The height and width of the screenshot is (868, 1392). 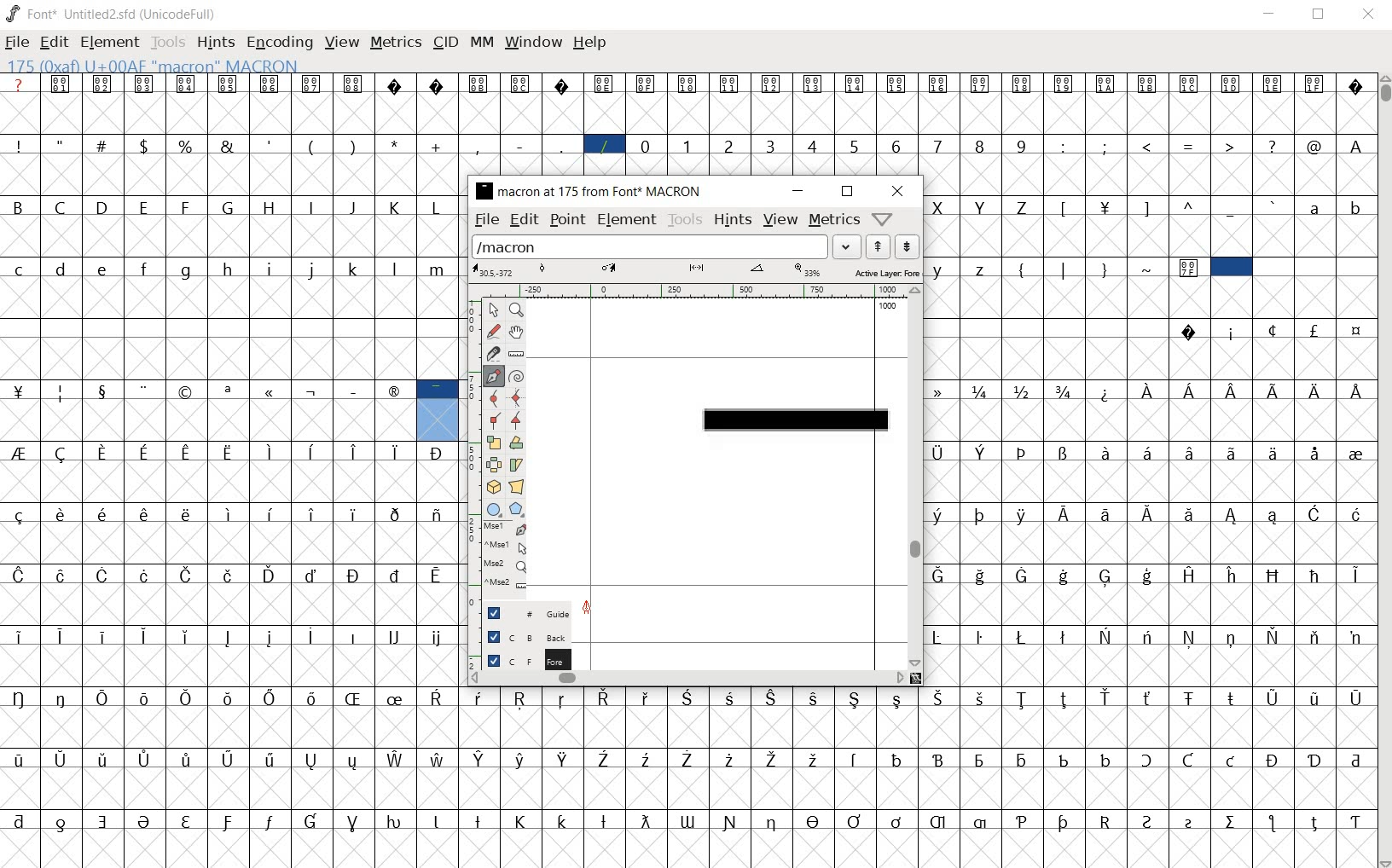 I want to click on Symbol, so click(x=393, y=389).